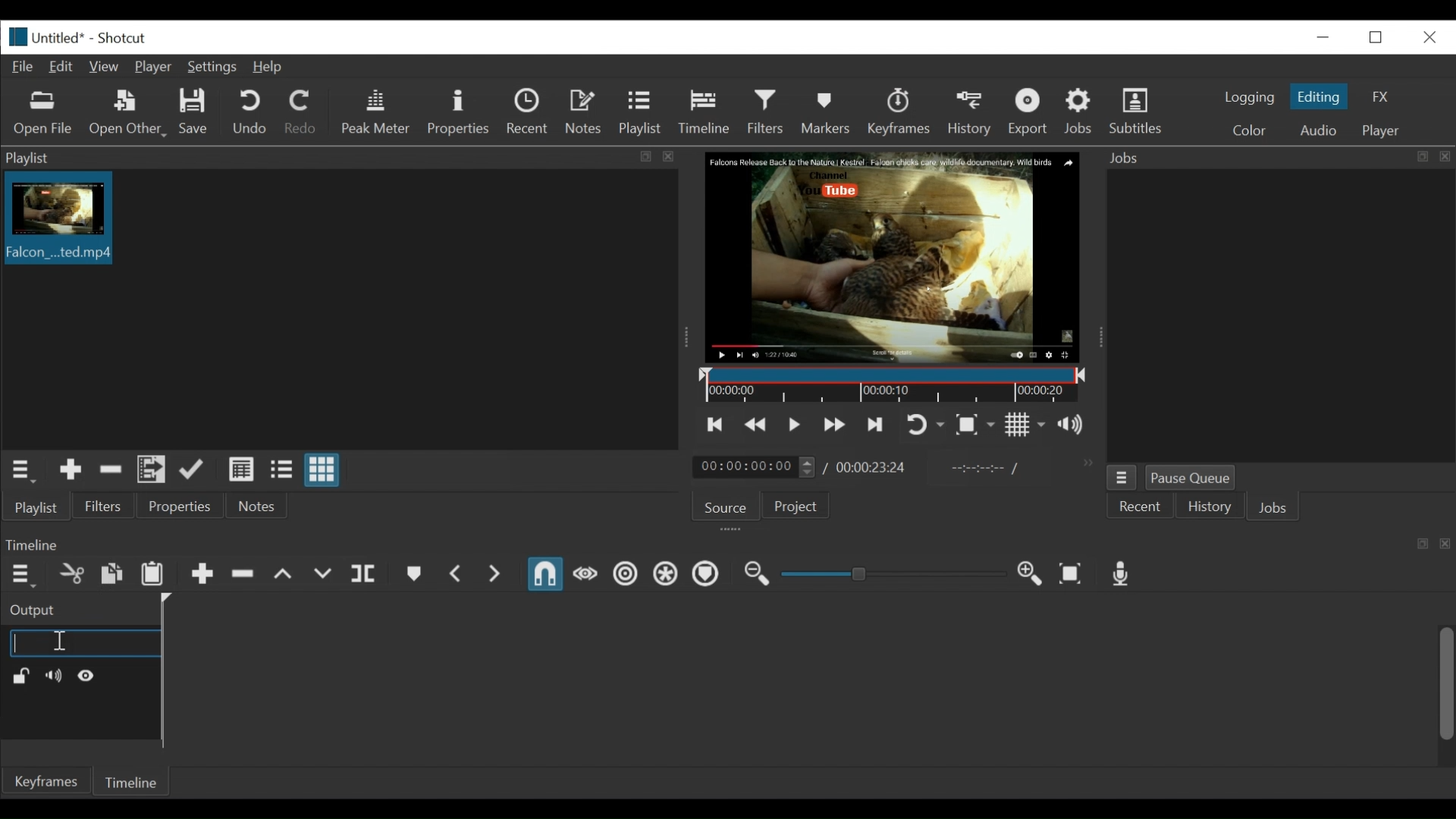  Describe the element at coordinates (1323, 37) in the screenshot. I see `minimize` at that location.